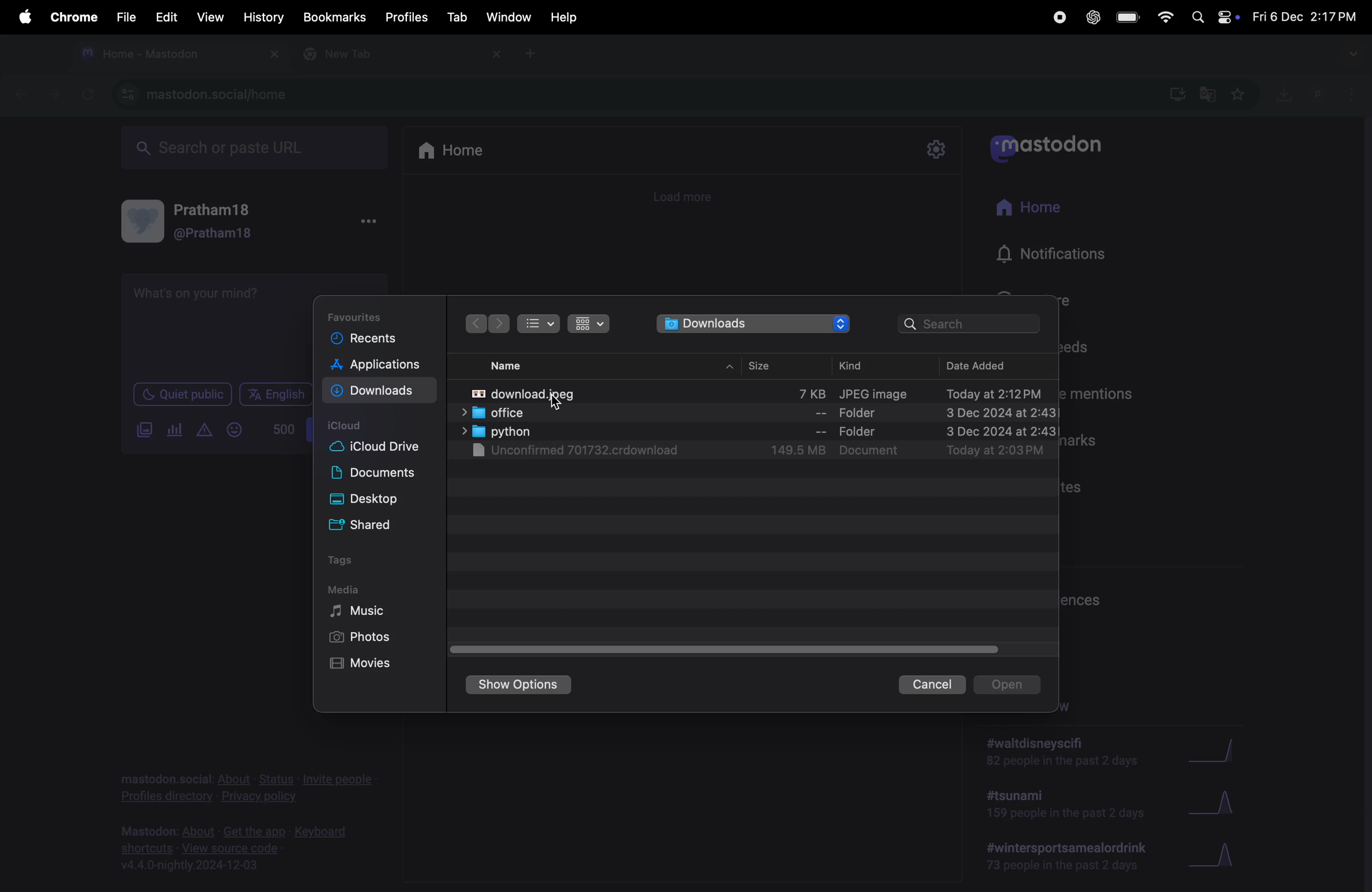 This screenshot has width=1372, height=892. What do you see at coordinates (536, 54) in the screenshot?
I see `new tab` at bounding box center [536, 54].